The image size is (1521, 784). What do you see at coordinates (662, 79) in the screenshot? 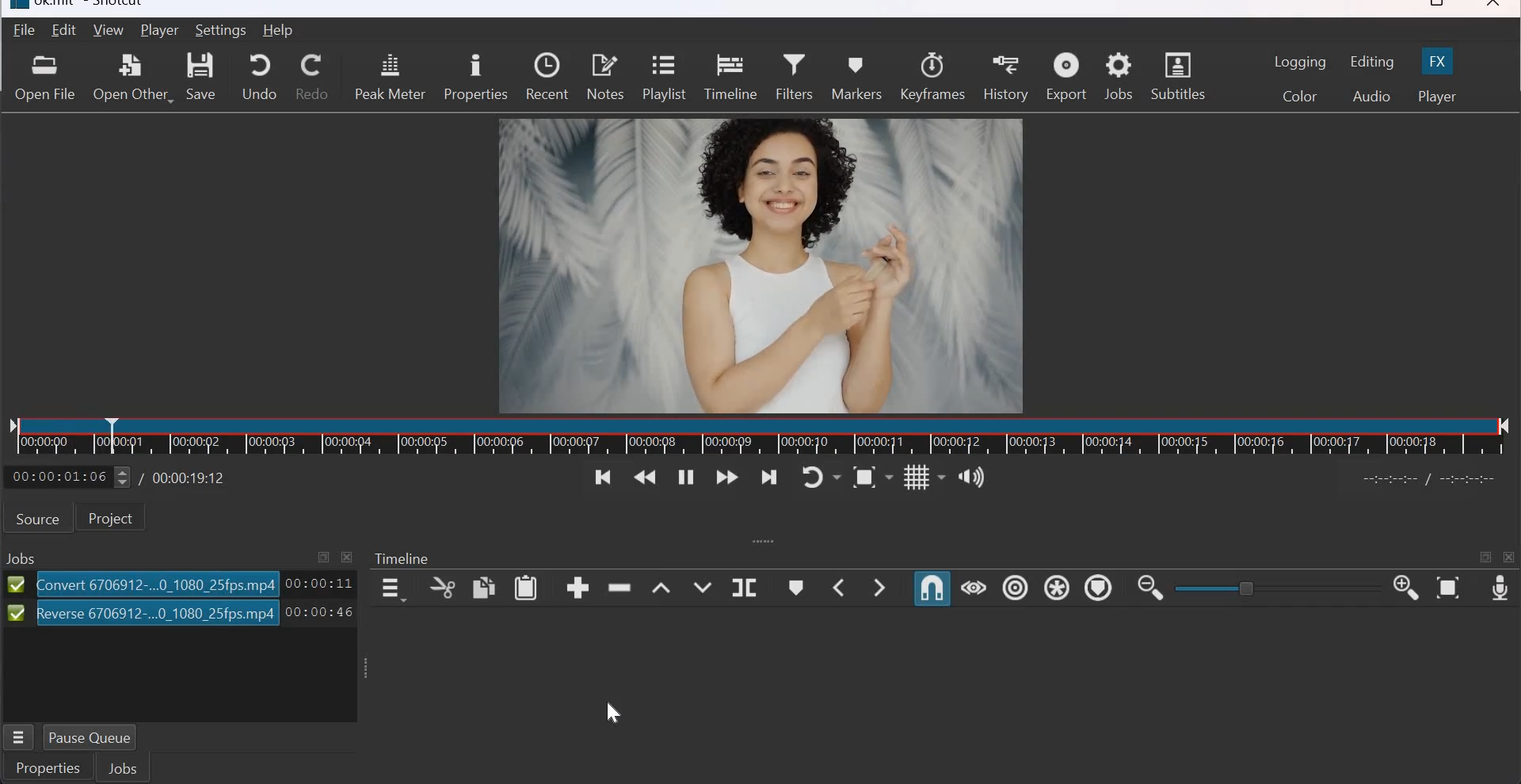
I see `Playlist` at bounding box center [662, 79].